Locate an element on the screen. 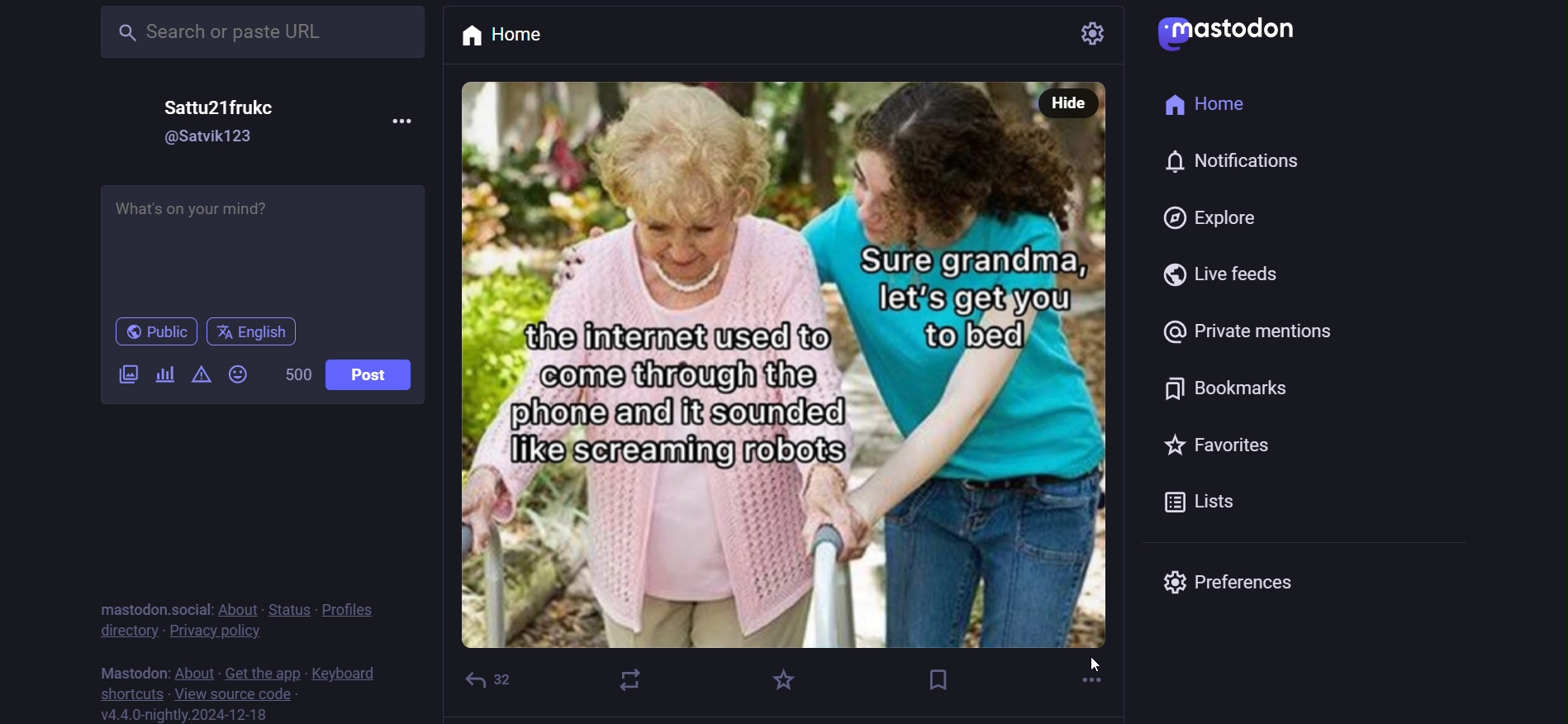 The height and width of the screenshot is (724, 1568). image is located at coordinates (791, 382).